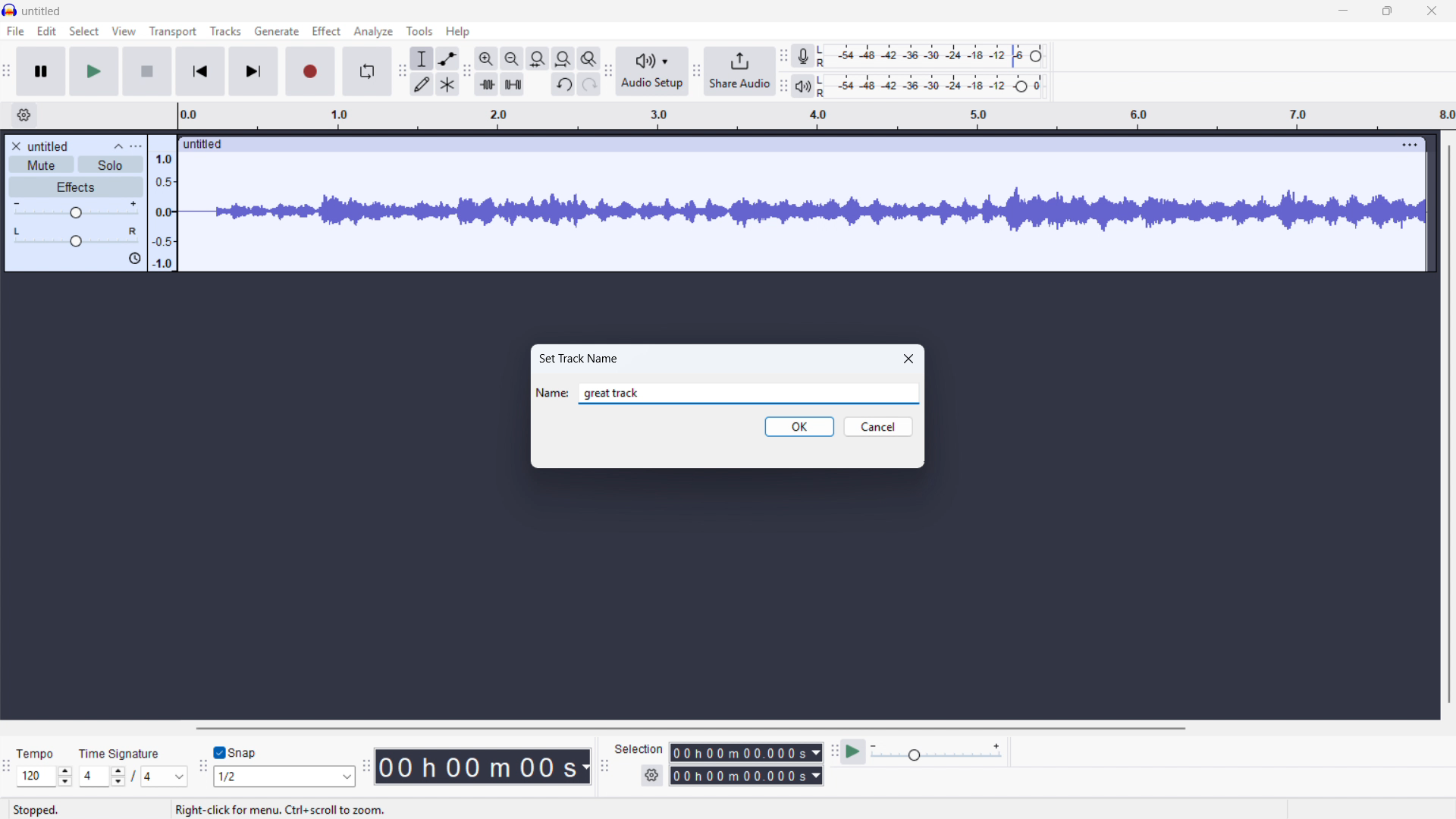 The height and width of the screenshot is (819, 1456). Describe the element at coordinates (854, 751) in the screenshot. I see `Play at speed ` at that location.